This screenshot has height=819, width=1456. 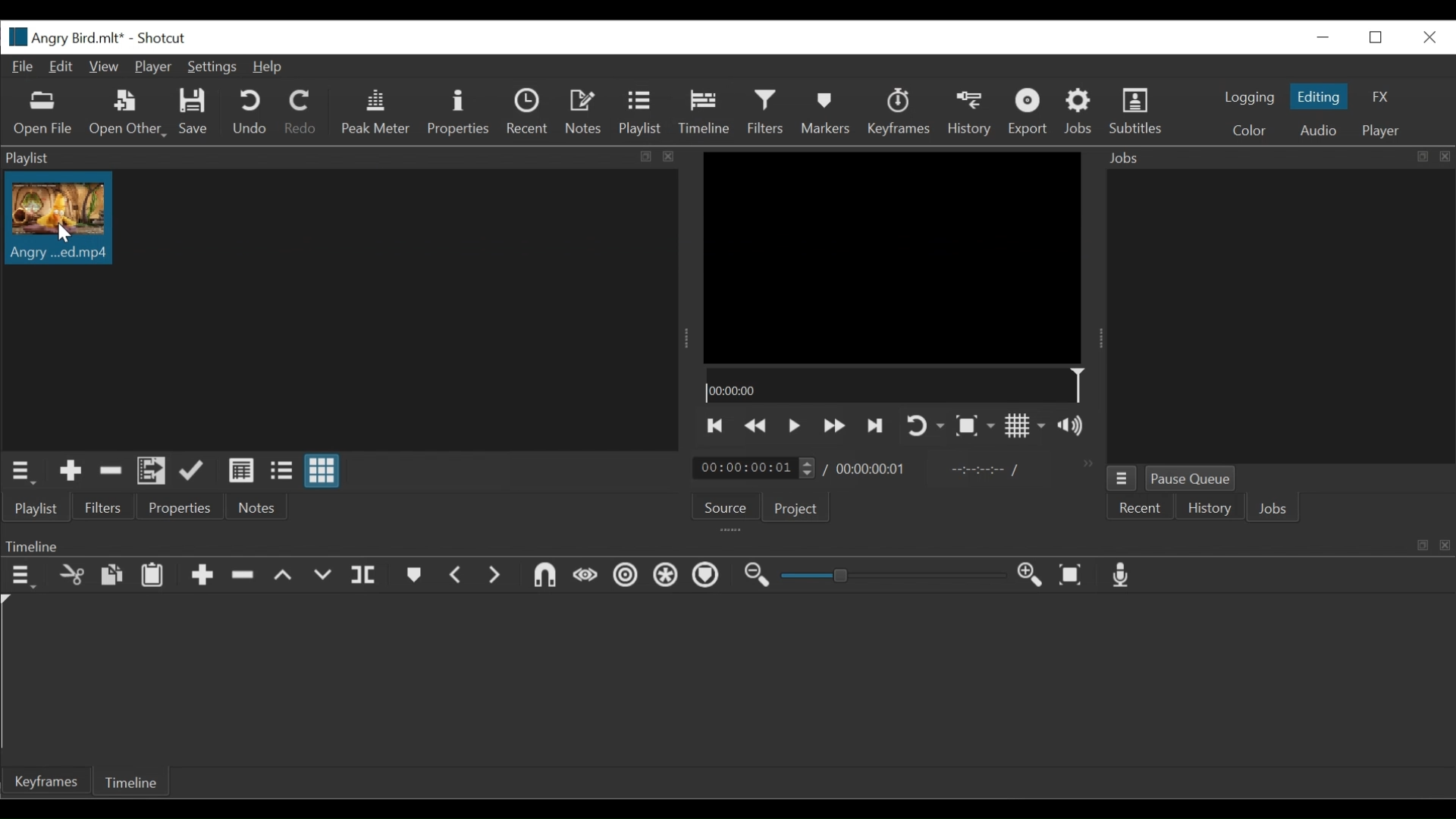 What do you see at coordinates (152, 65) in the screenshot?
I see `Player` at bounding box center [152, 65].